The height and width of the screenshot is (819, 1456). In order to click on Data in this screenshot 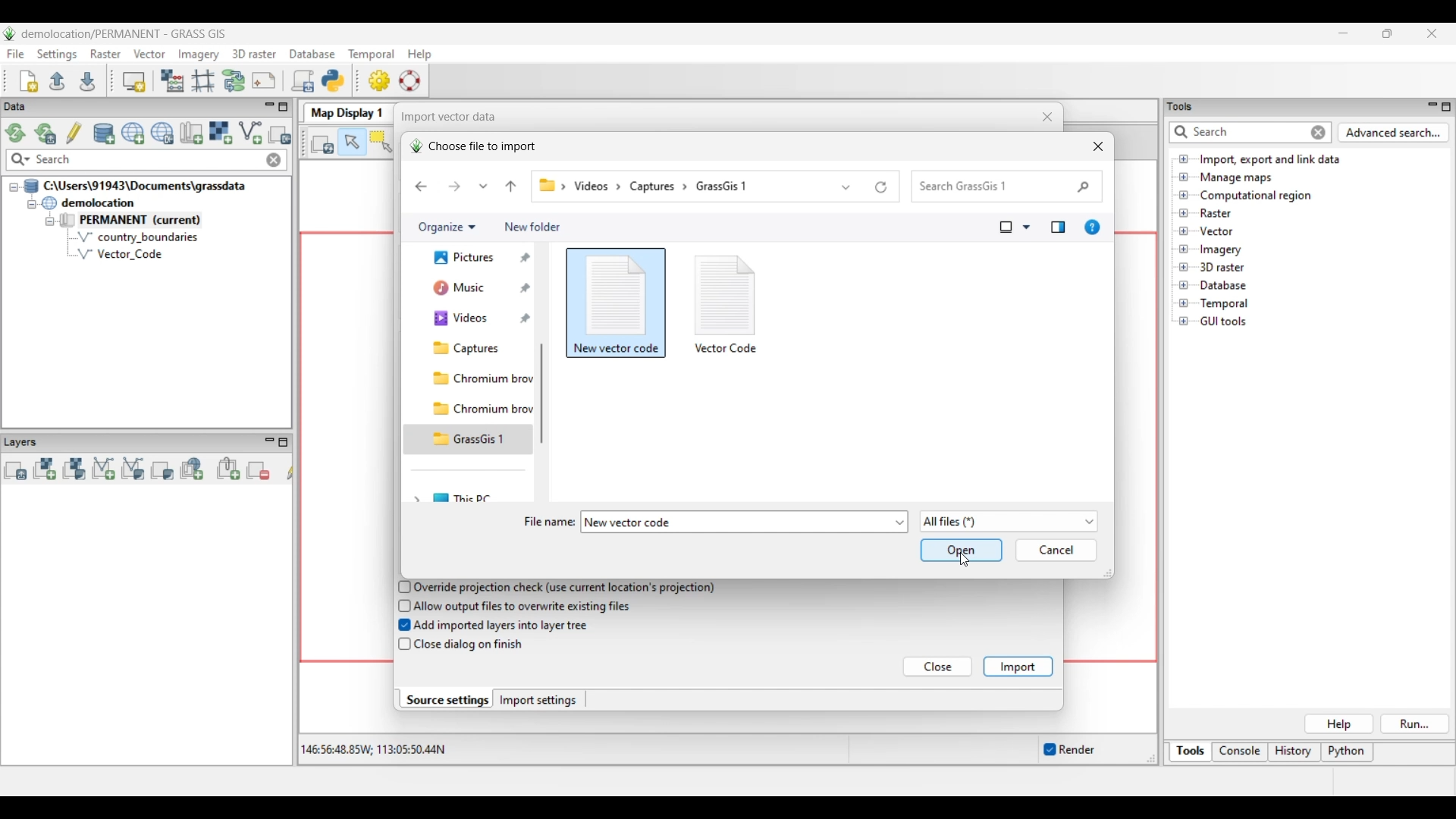, I will do `click(28, 107)`.